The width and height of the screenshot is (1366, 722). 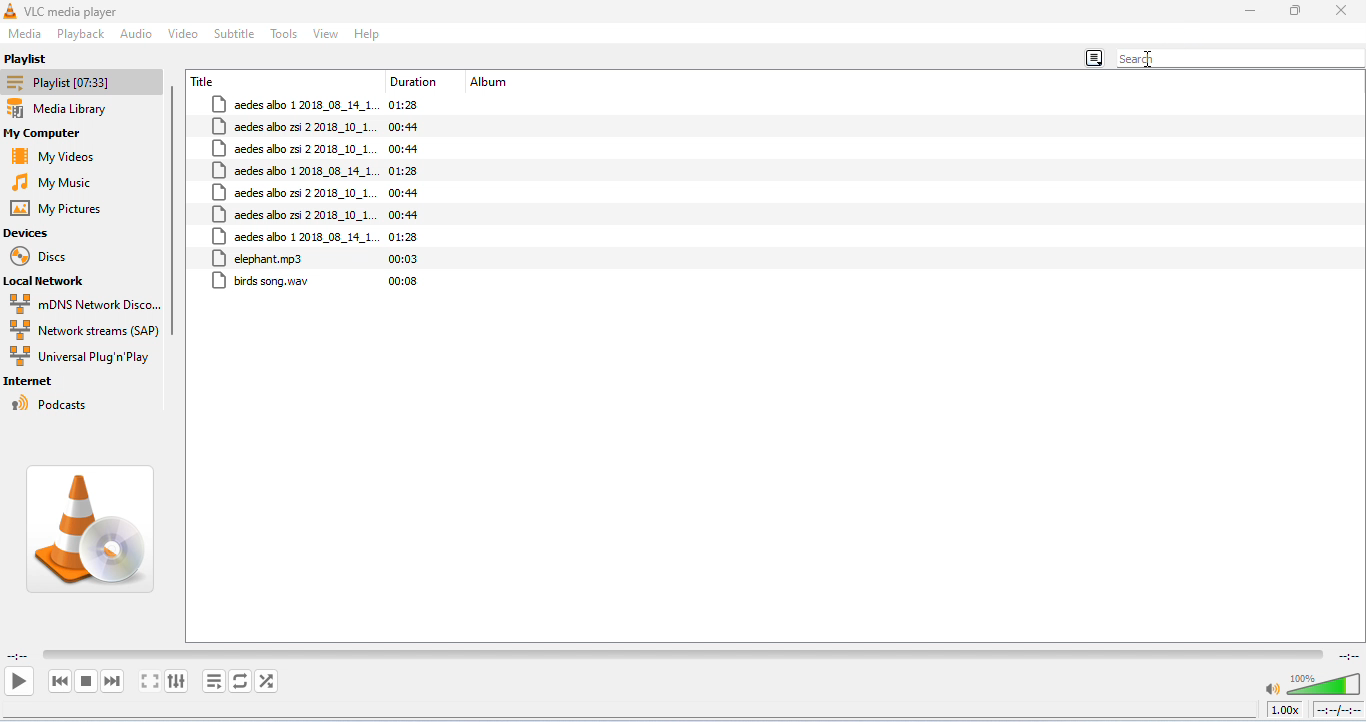 I want to click on elapsed time, so click(x=18, y=657).